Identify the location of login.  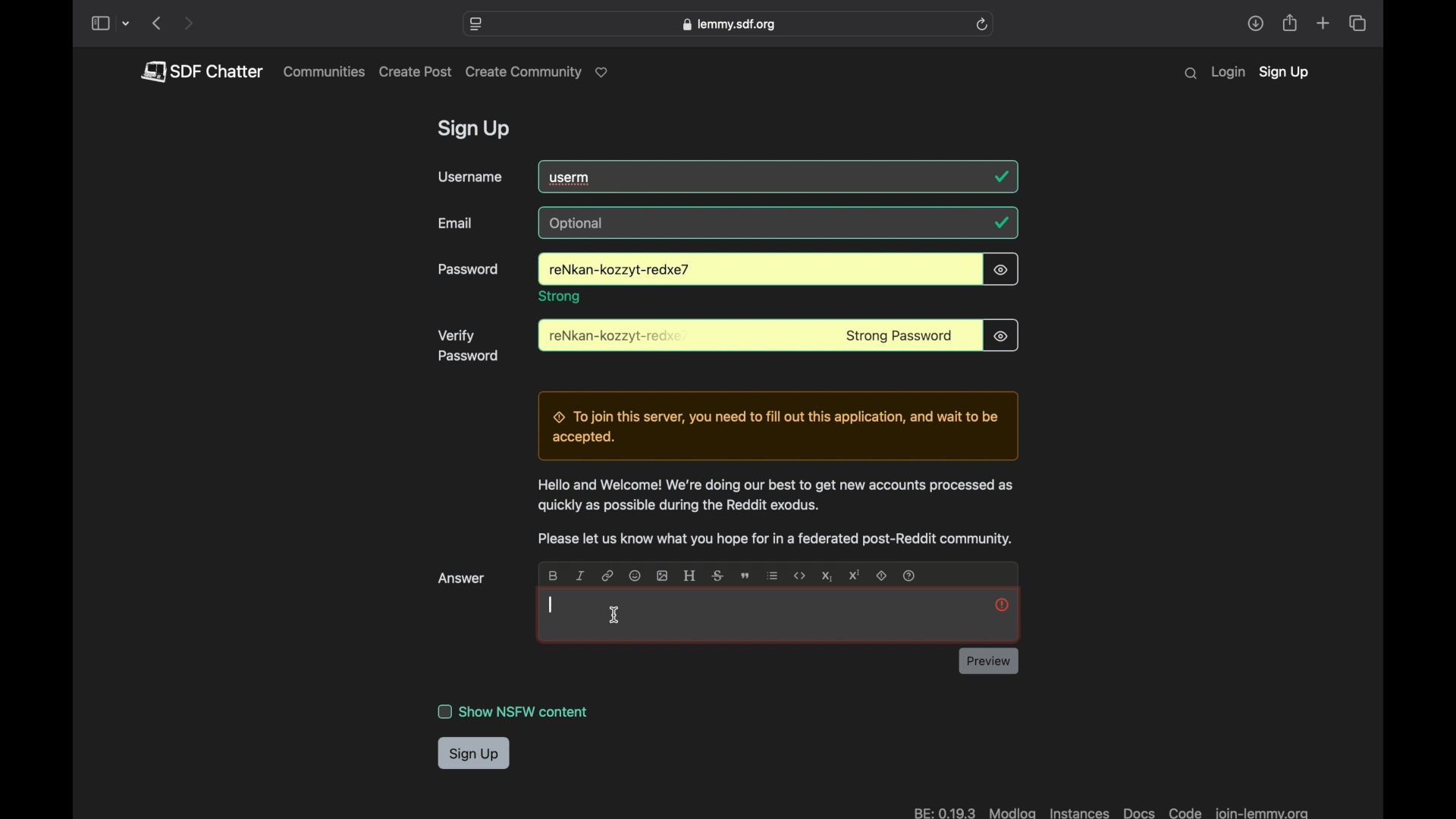
(1228, 73).